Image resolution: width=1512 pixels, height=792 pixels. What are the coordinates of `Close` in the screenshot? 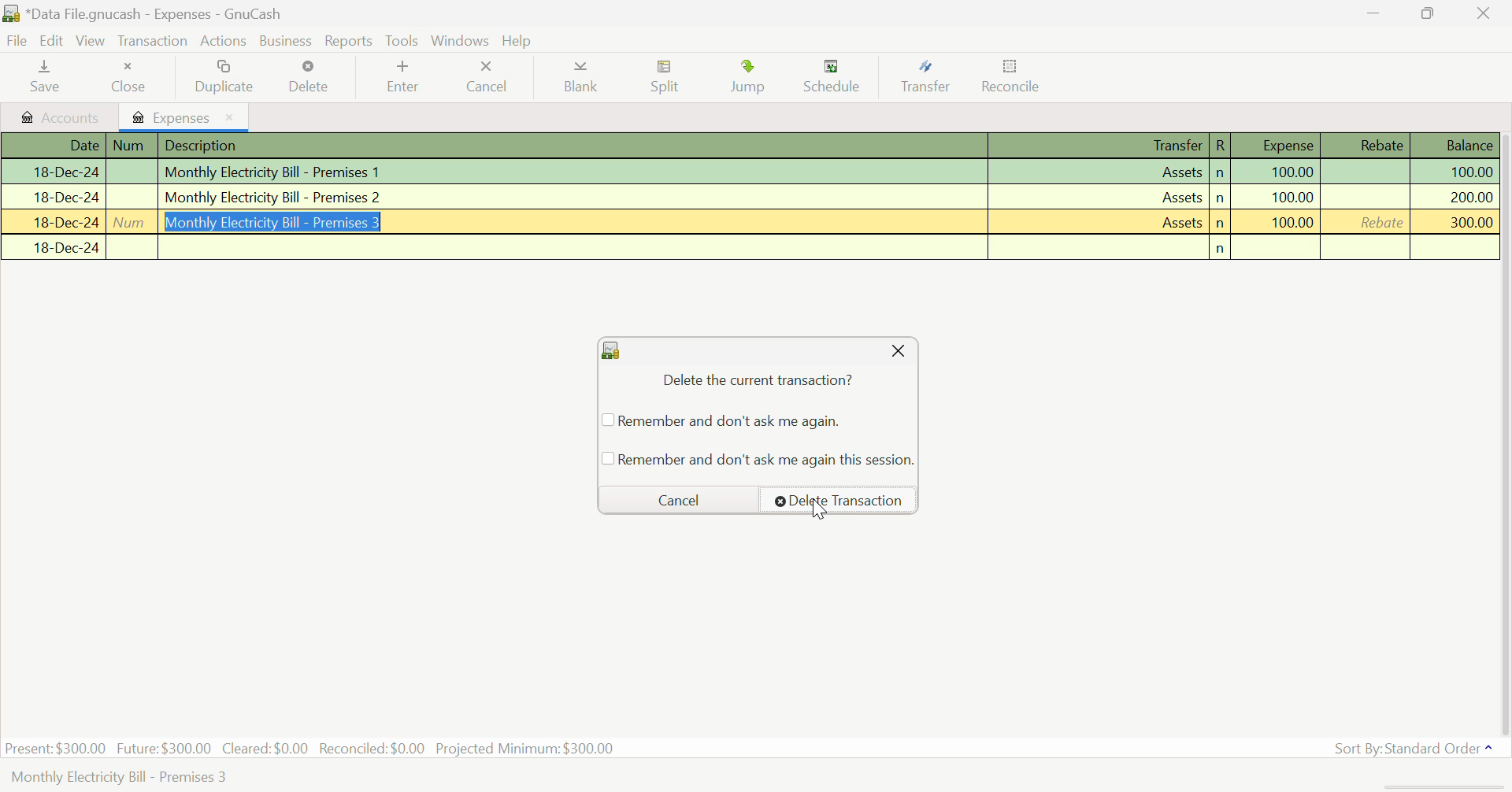 It's located at (128, 77).